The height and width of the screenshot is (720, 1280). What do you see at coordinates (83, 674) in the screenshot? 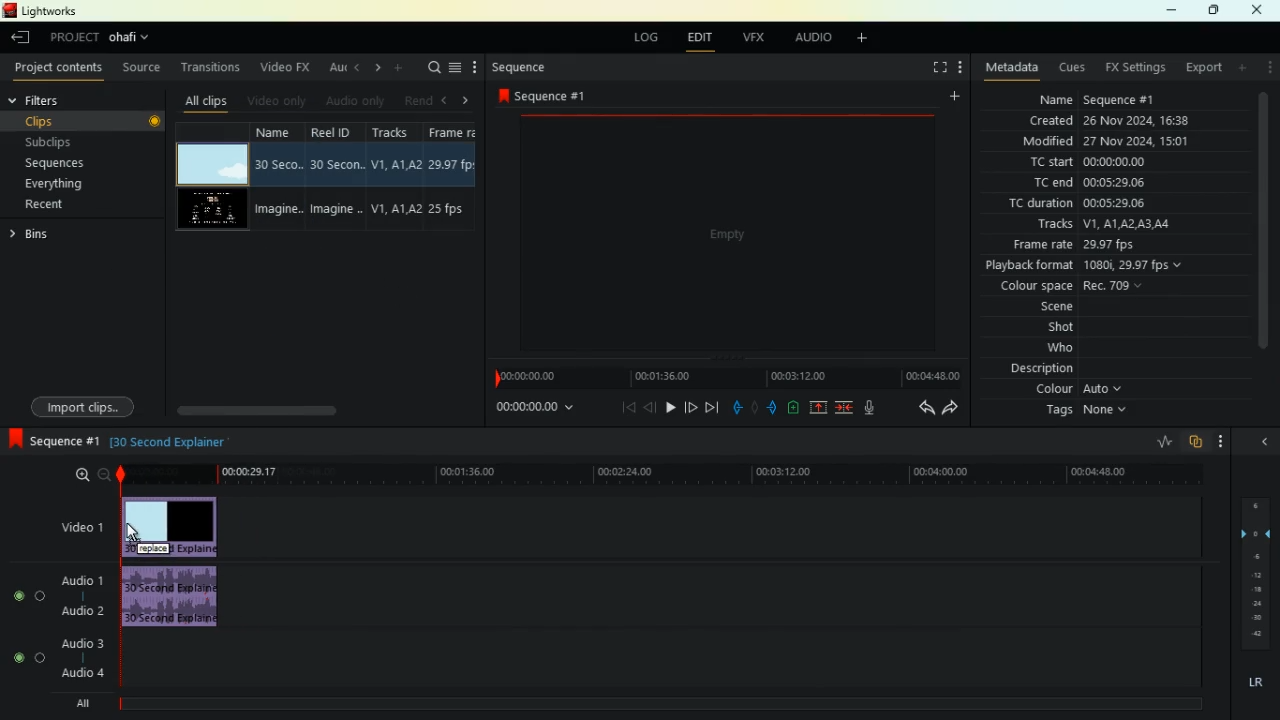
I see `audio 4` at bounding box center [83, 674].